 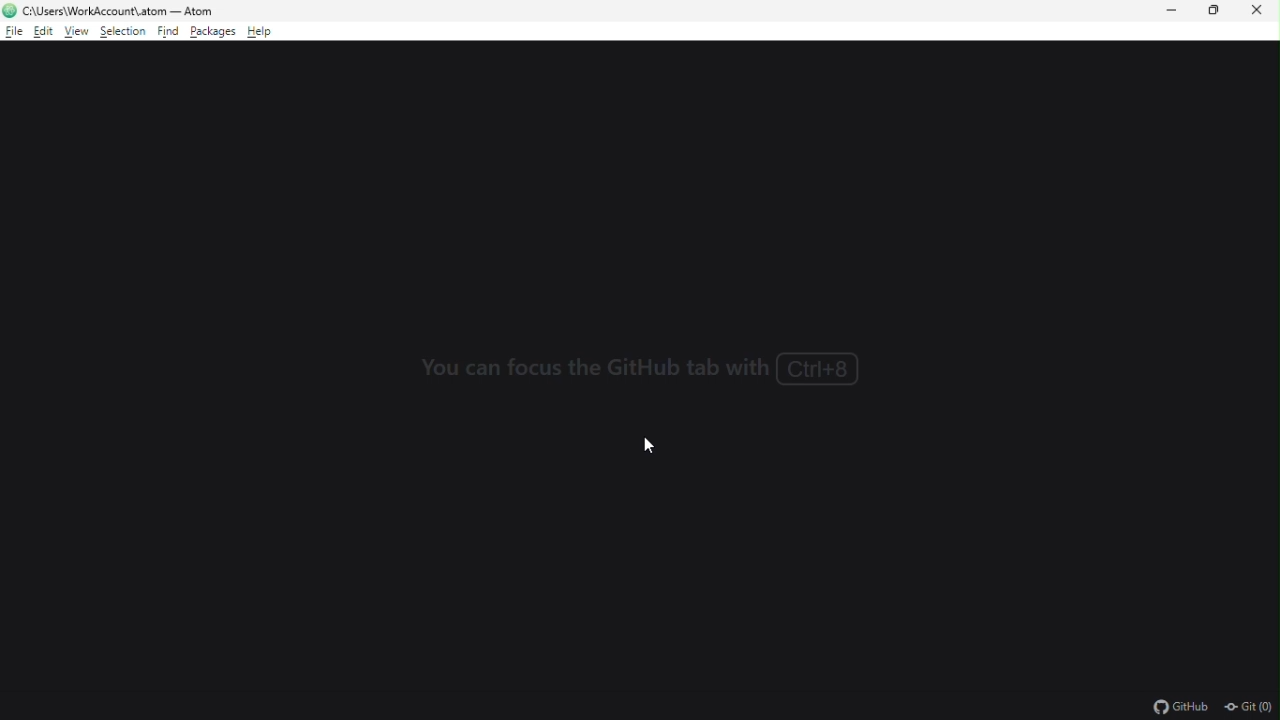 I want to click on file, so click(x=14, y=32).